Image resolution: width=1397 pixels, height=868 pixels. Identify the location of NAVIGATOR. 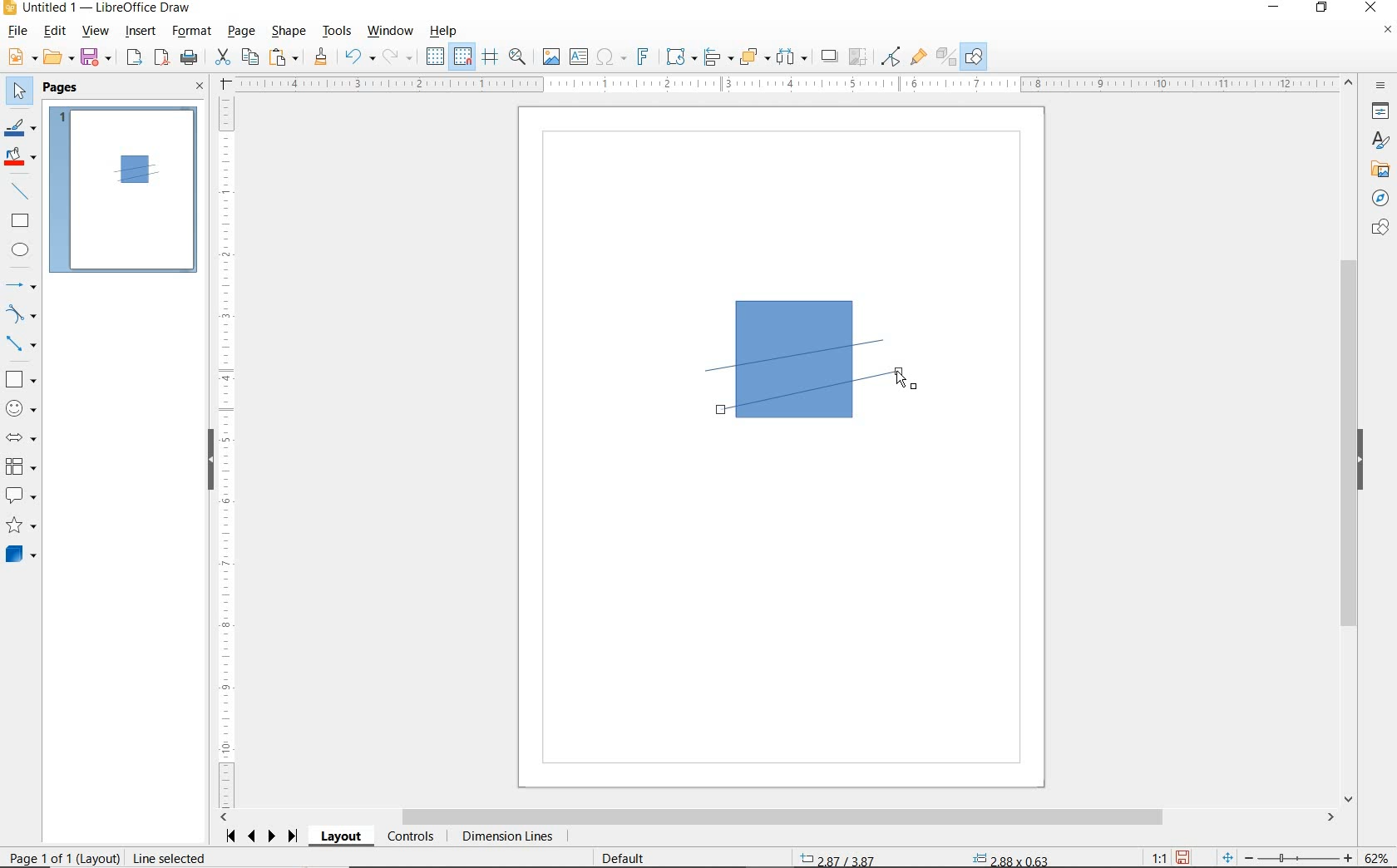
(1380, 196).